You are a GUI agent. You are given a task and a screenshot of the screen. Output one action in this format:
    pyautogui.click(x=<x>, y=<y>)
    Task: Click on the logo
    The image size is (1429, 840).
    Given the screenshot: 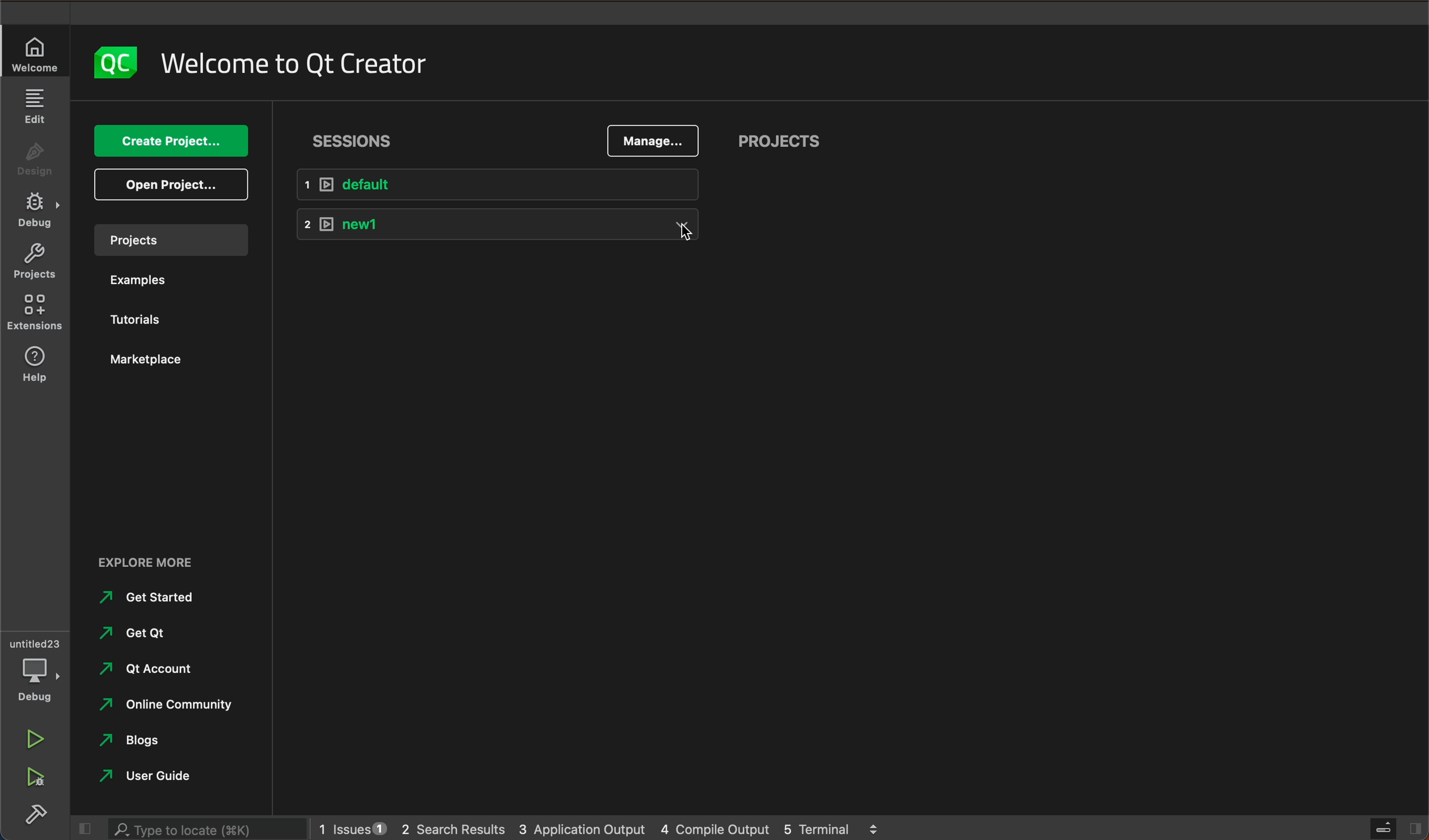 What is the action you would take?
    pyautogui.click(x=108, y=63)
    